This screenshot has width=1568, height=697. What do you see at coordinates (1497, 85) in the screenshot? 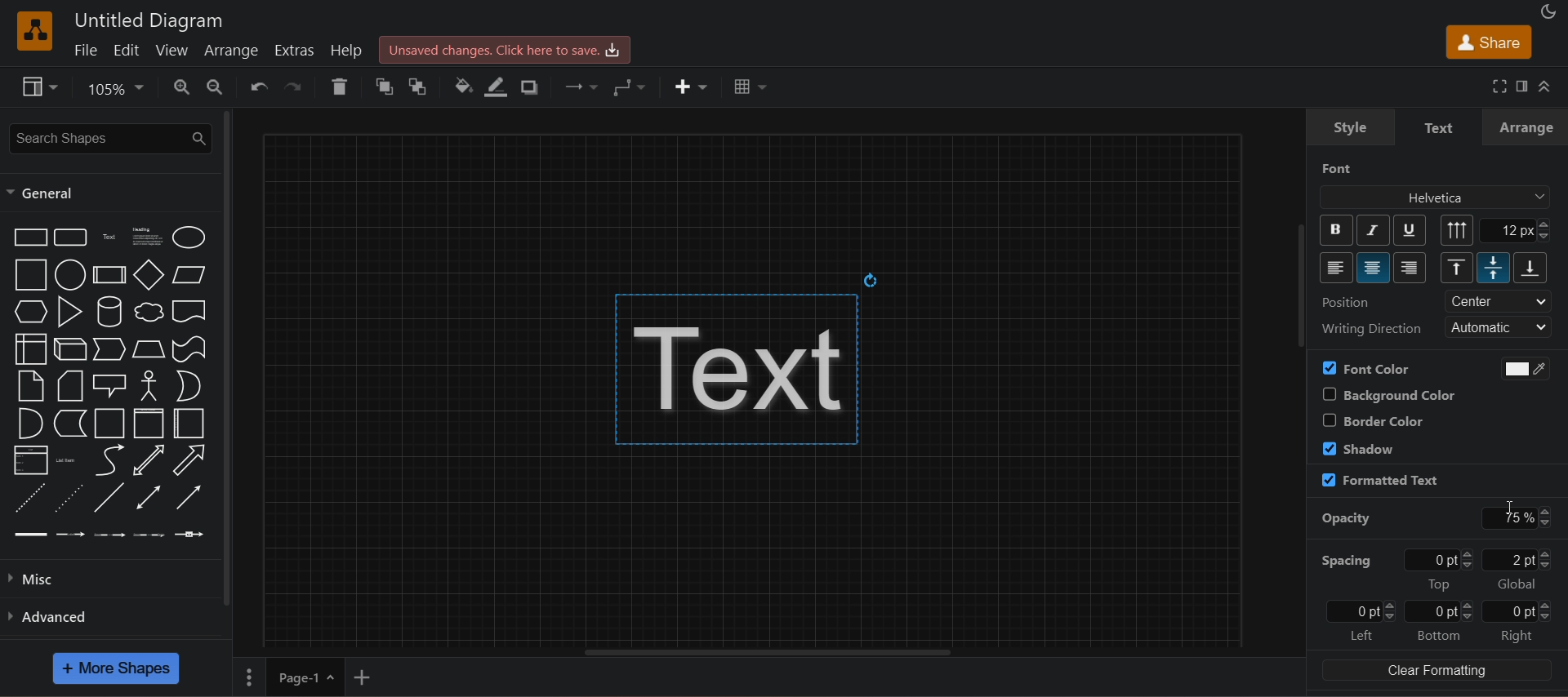
I see `fullscreen` at bounding box center [1497, 85].